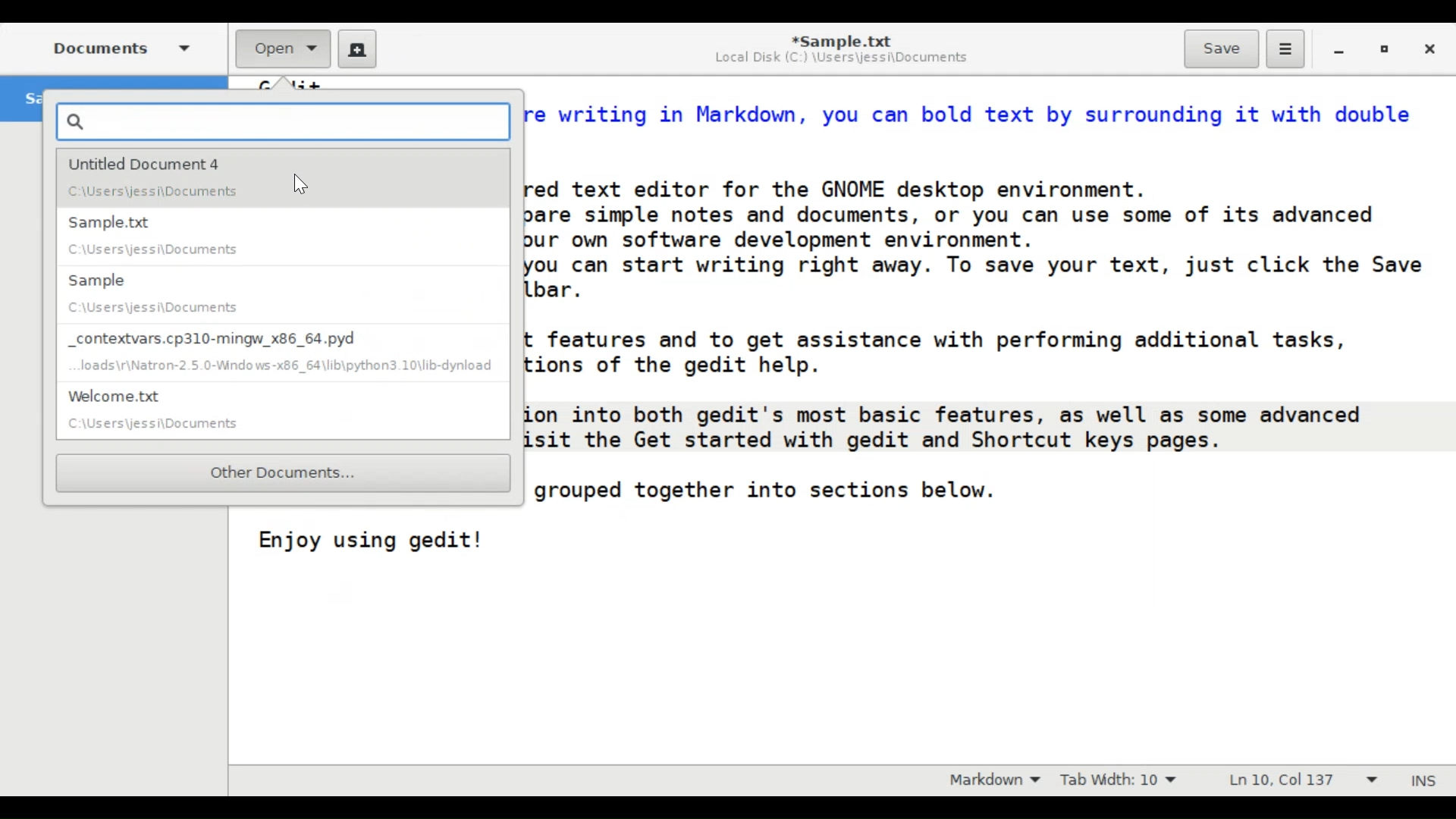 The width and height of the screenshot is (1456, 819). Describe the element at coordinates (119, 47) in the screenshot. I see `Documents` at that location.